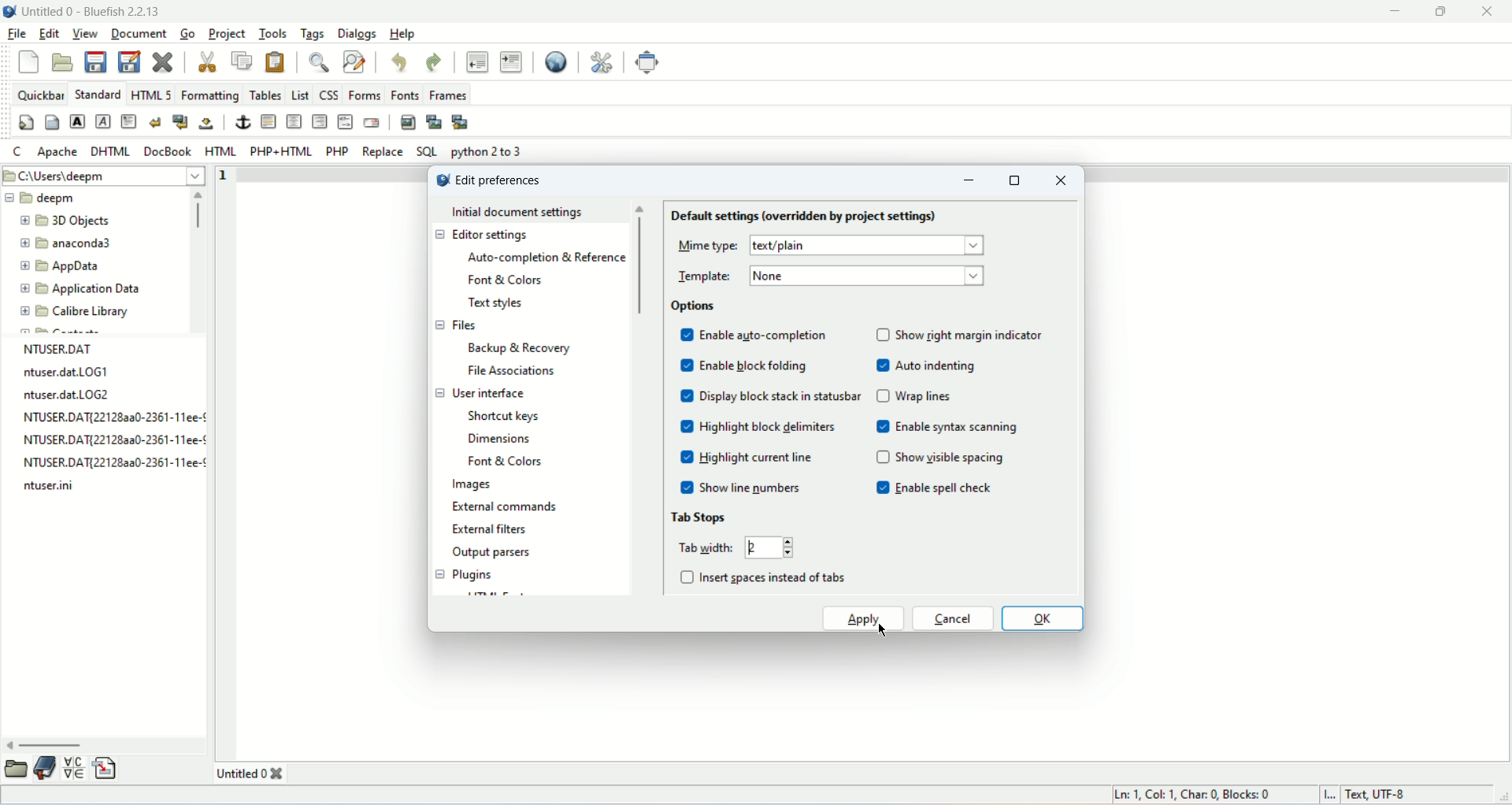  I want to click on open, so click(62, 62).